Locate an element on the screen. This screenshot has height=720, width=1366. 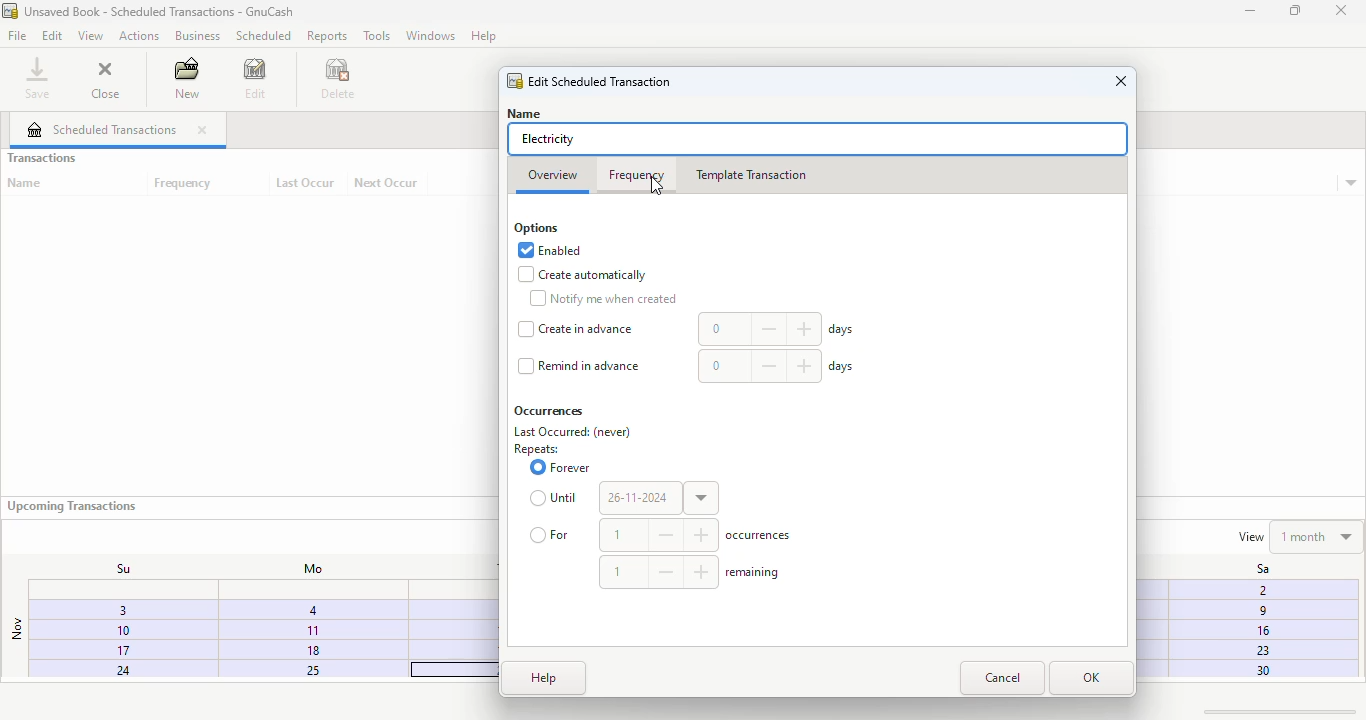
frequency is located at coordinates (184, 184).